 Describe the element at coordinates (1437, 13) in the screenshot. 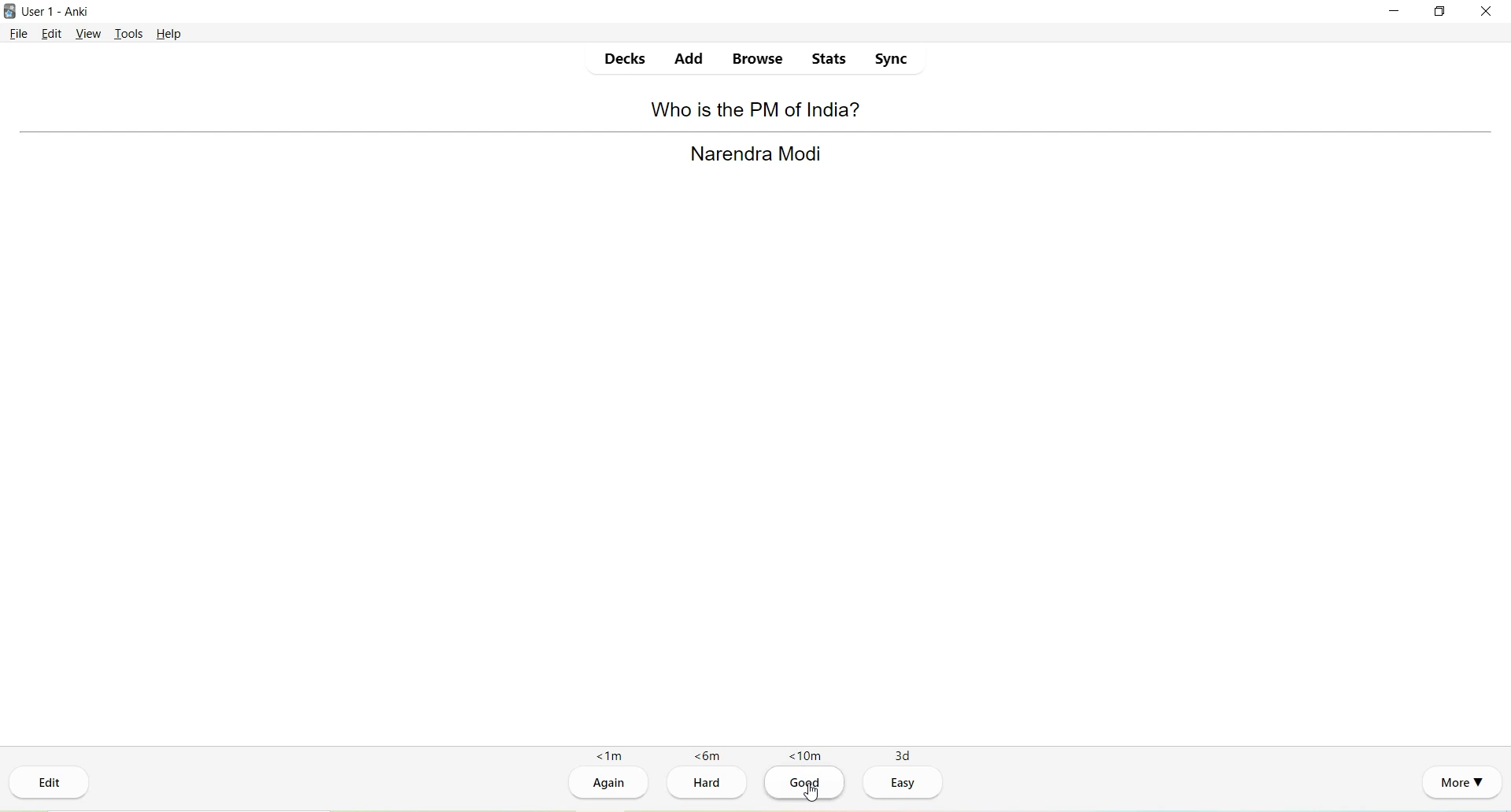

I see `Maximize` at that location.